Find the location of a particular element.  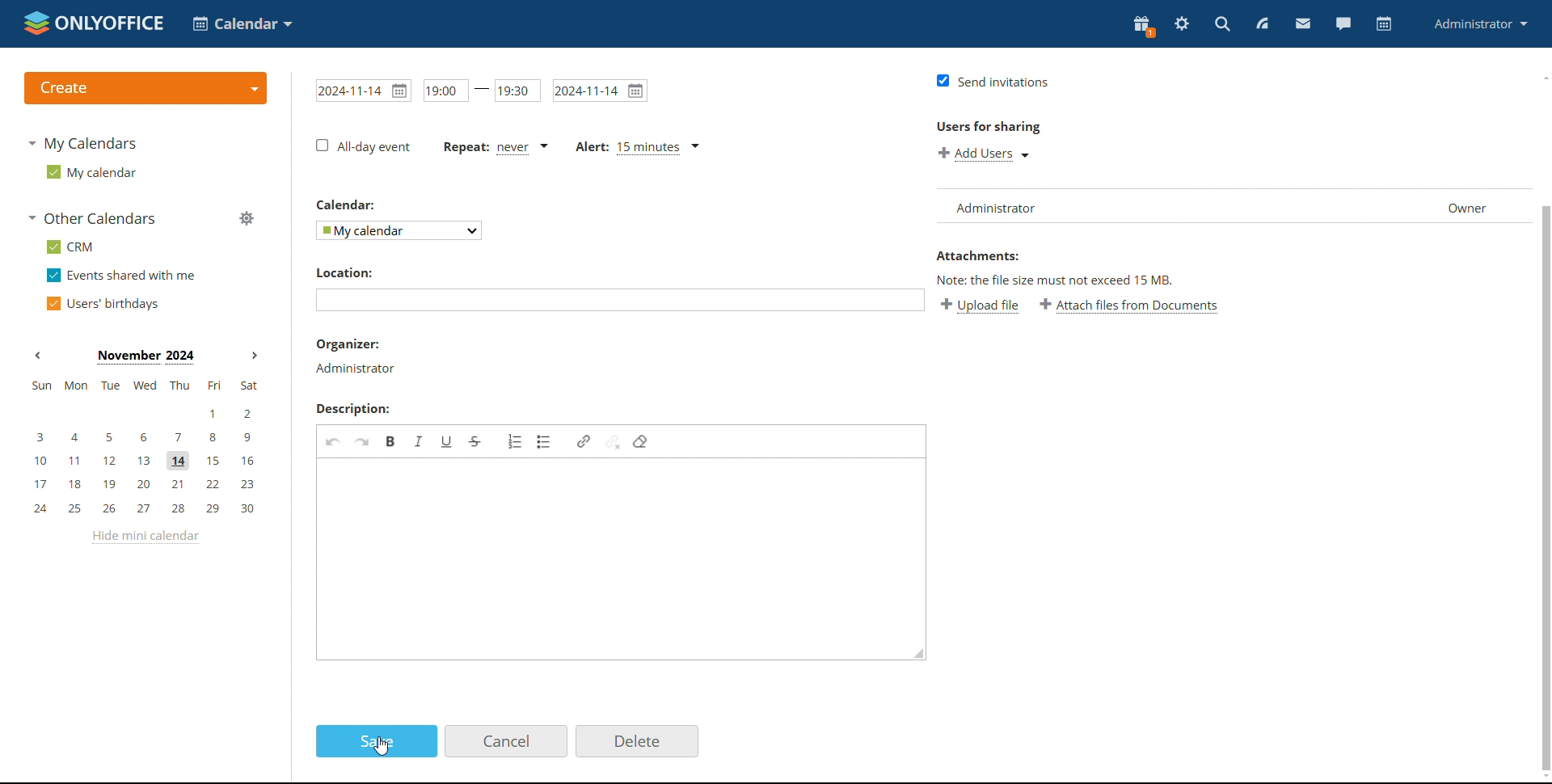

undo is located at coordinates (332, 444).